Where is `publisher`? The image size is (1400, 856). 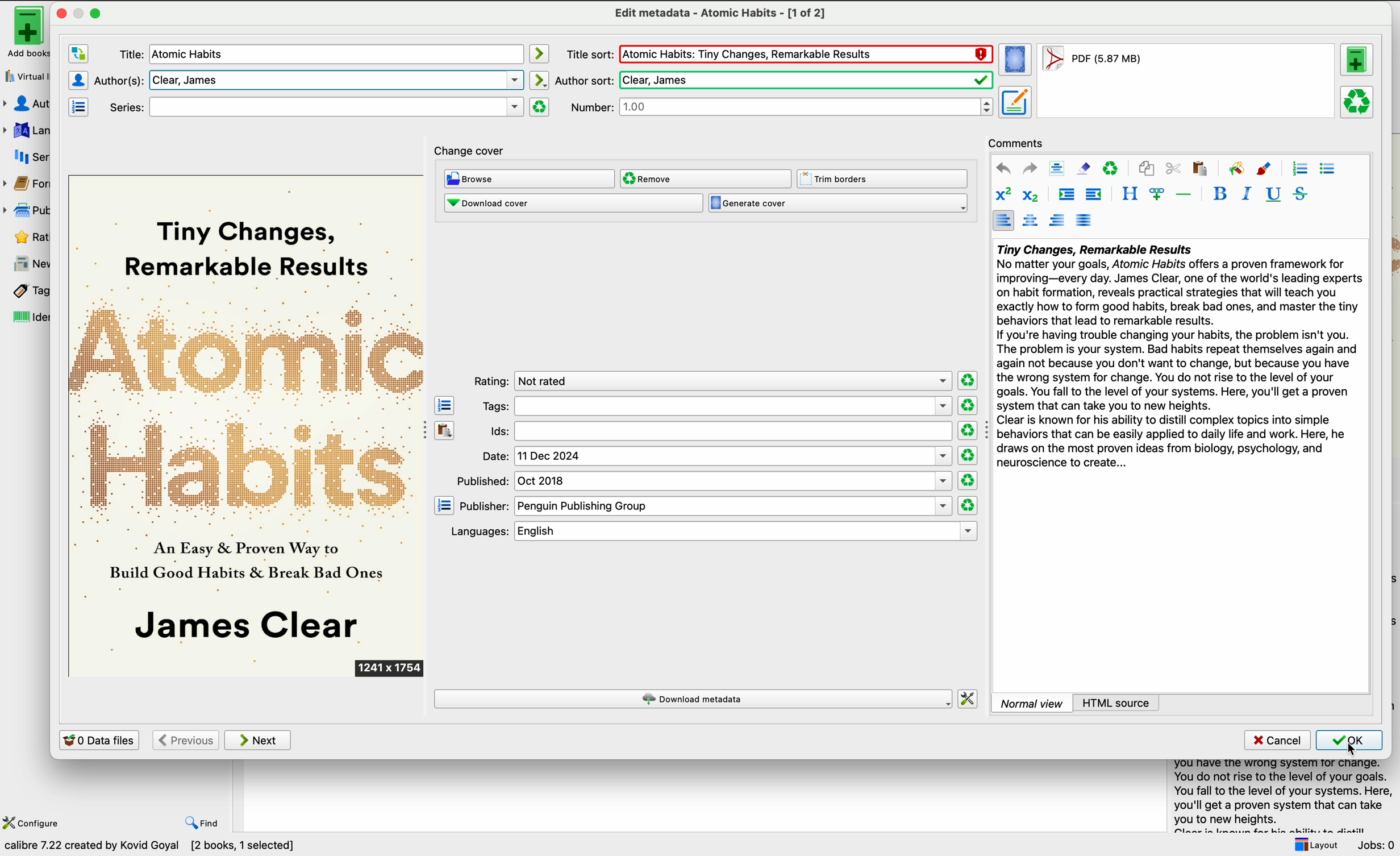 publisher is located at coordinates (29, 210).